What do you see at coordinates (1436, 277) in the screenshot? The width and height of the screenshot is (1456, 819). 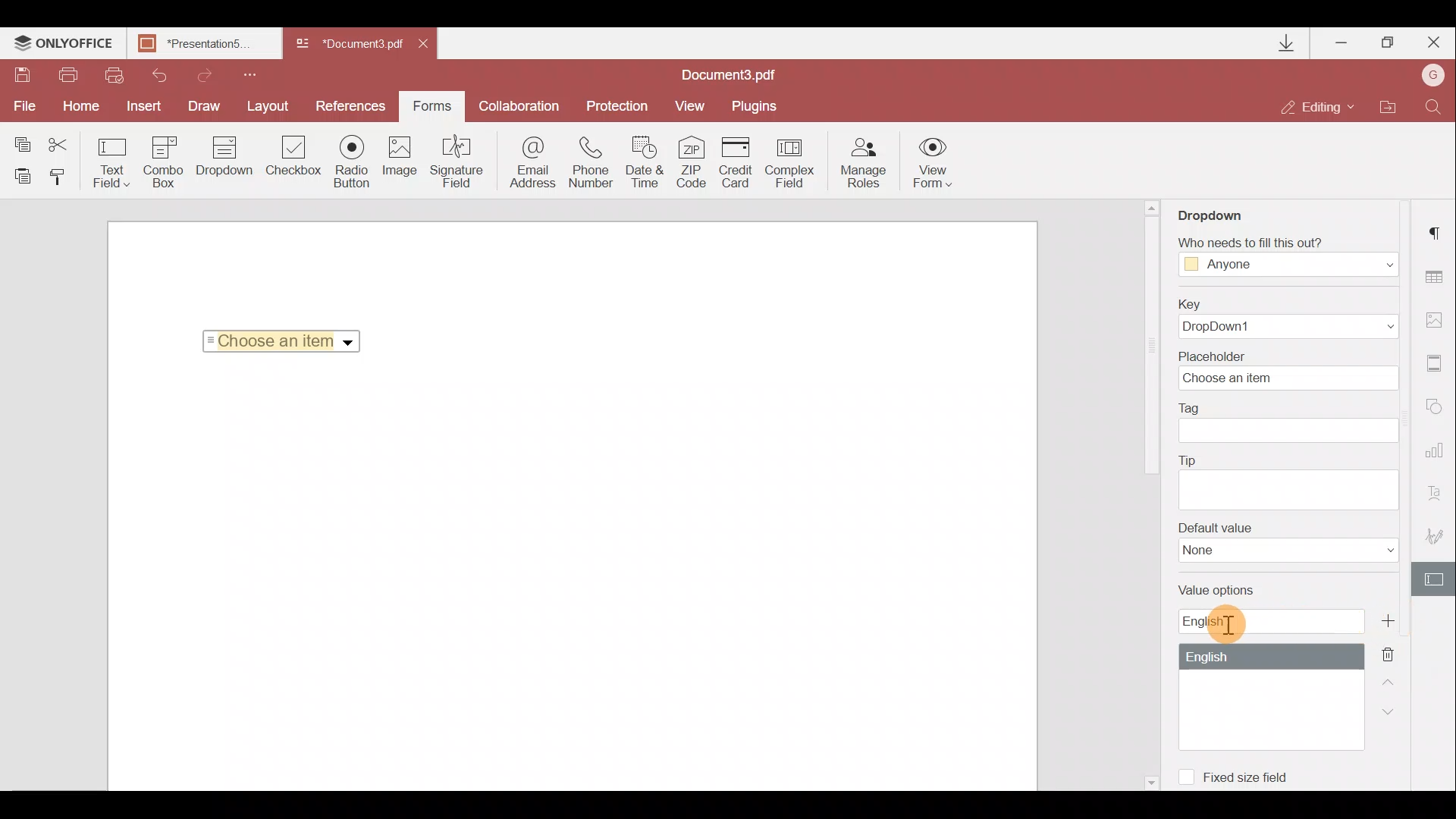 I see `Table settings` at bounding box center [1436, 277].